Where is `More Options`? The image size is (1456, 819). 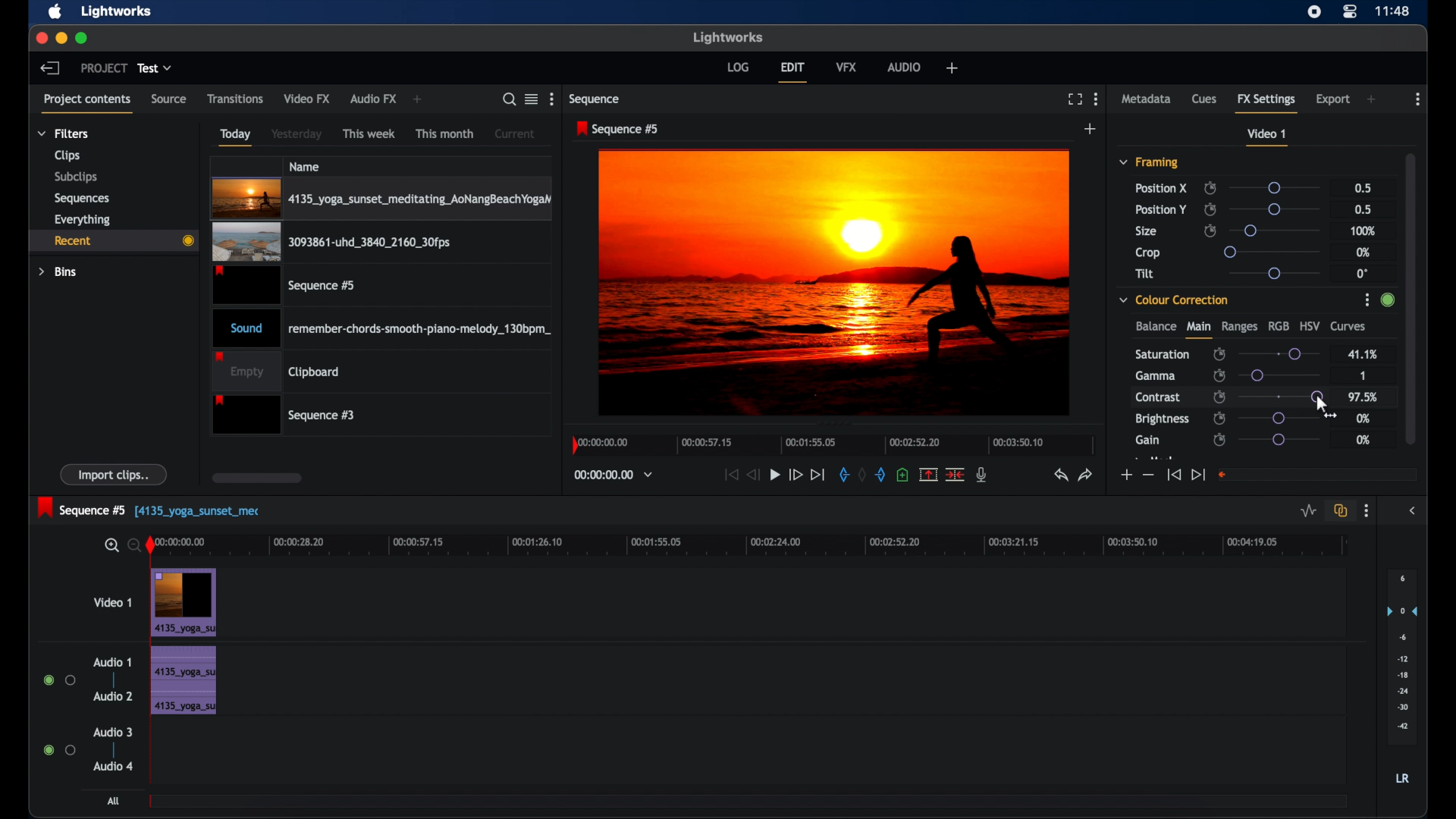
More Options is located at coordinates (1369, 301).